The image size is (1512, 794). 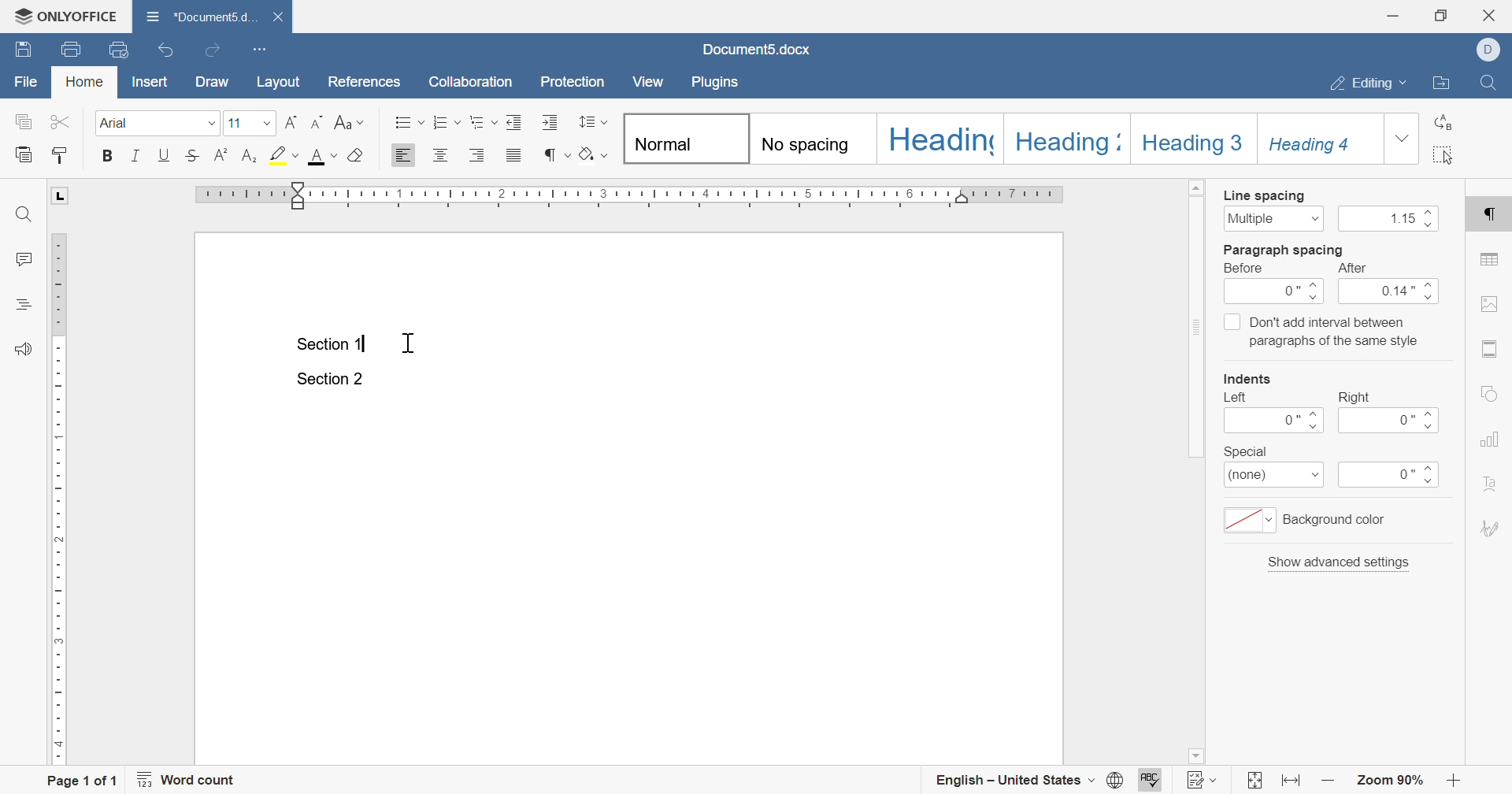 What do you see at coordinates (213, 50) in the screenshot?
I see `redo` at bounding box center [213, 50].